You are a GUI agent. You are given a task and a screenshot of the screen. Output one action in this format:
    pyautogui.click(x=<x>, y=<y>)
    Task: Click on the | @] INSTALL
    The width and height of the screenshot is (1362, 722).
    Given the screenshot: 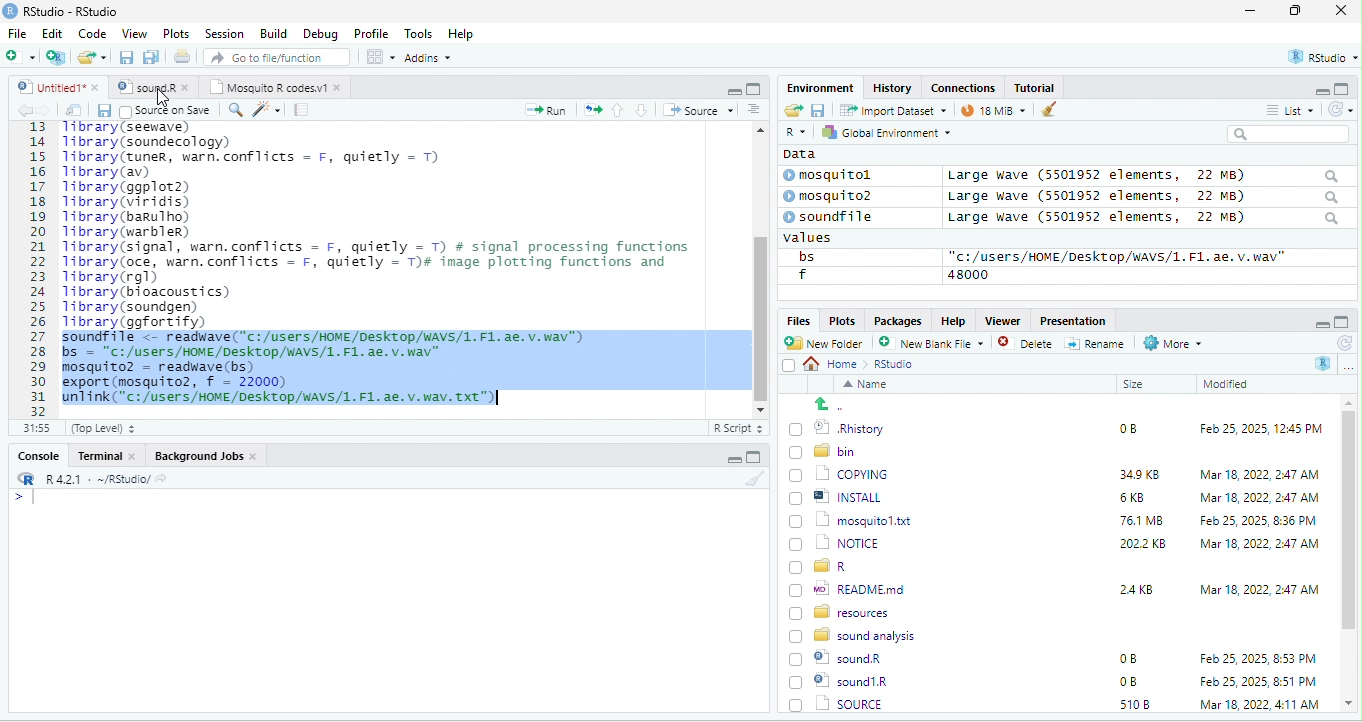 What is the action you would take?
    pyautogui.click(x=839, y=496)
    